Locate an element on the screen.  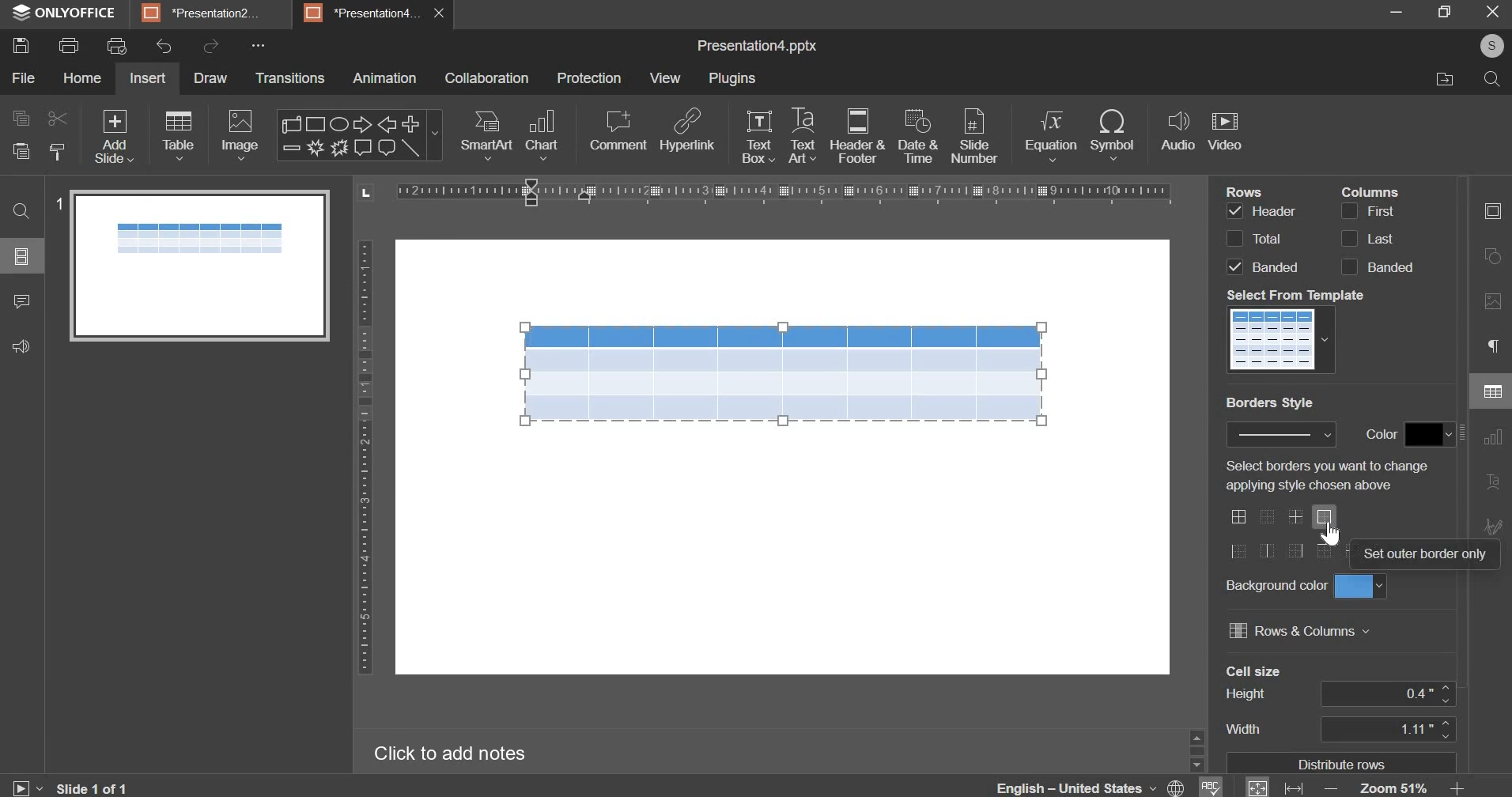
border style is located at coordinates (1280, 435).